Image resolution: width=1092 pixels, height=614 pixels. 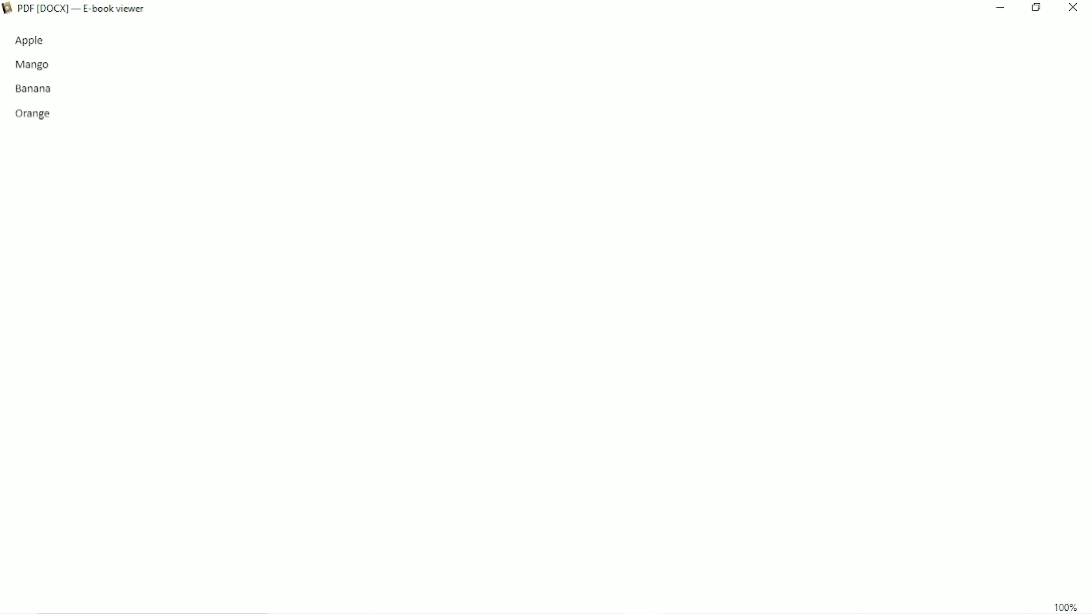 I want to click on Orange, so click(x=33, y=112).